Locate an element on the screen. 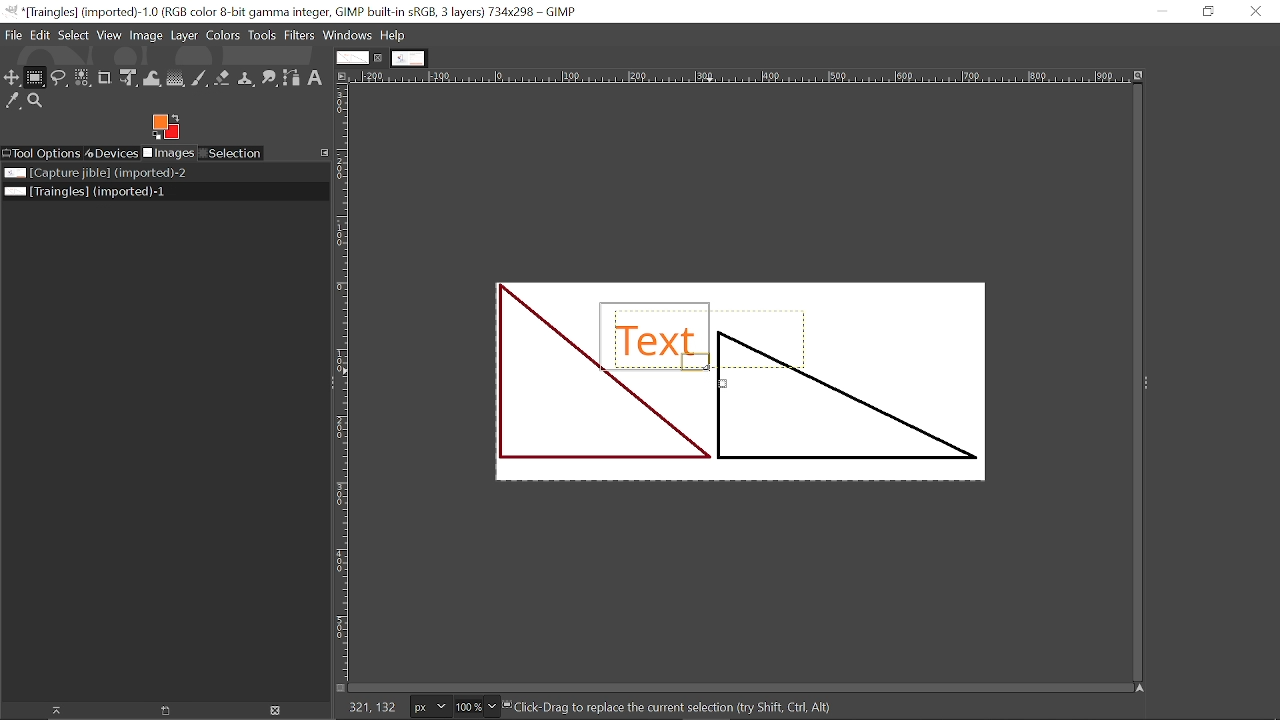  Path tool is located at coordinates (292, 79).